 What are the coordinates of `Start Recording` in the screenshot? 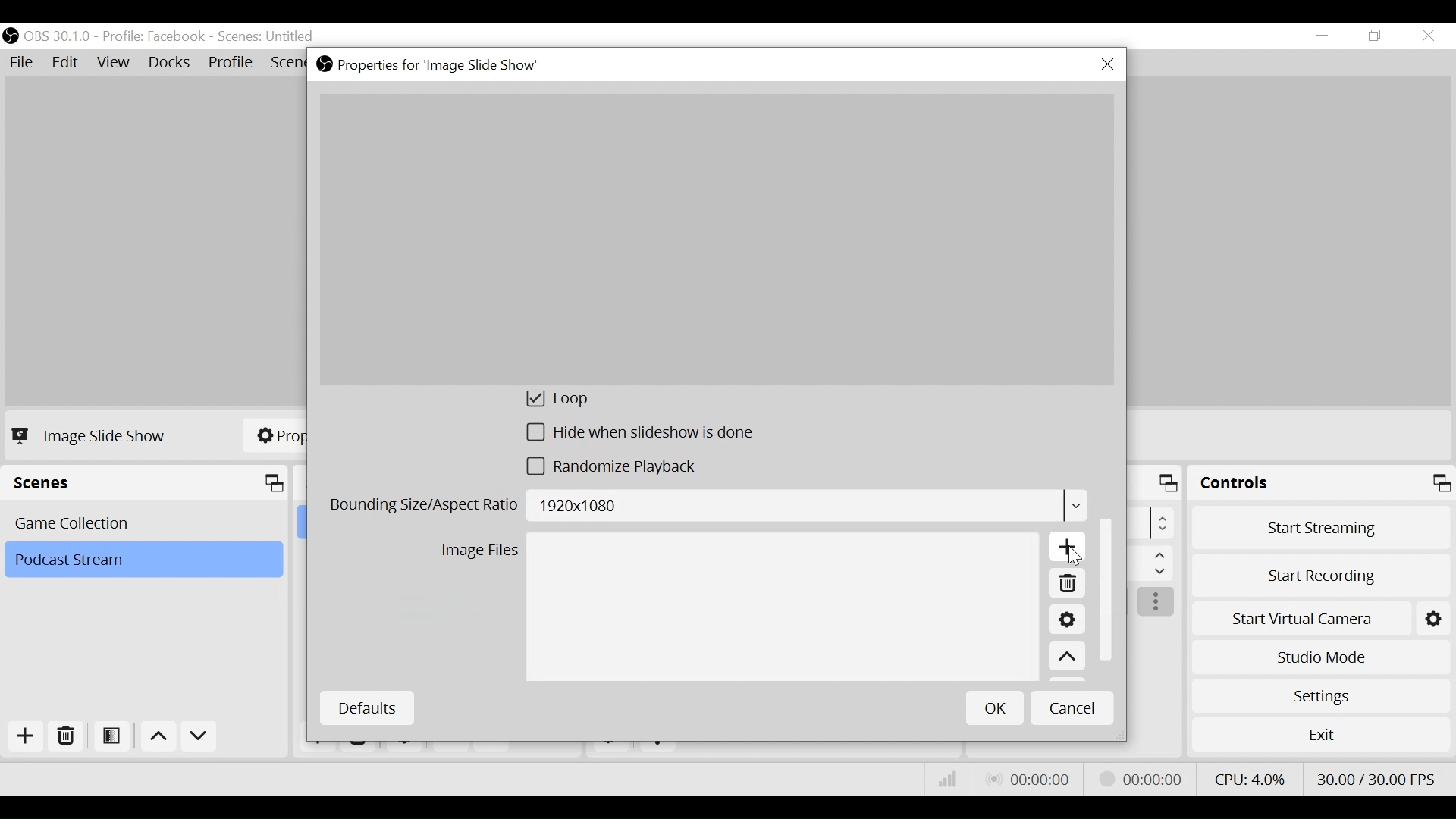 It's located at (1323, 571).